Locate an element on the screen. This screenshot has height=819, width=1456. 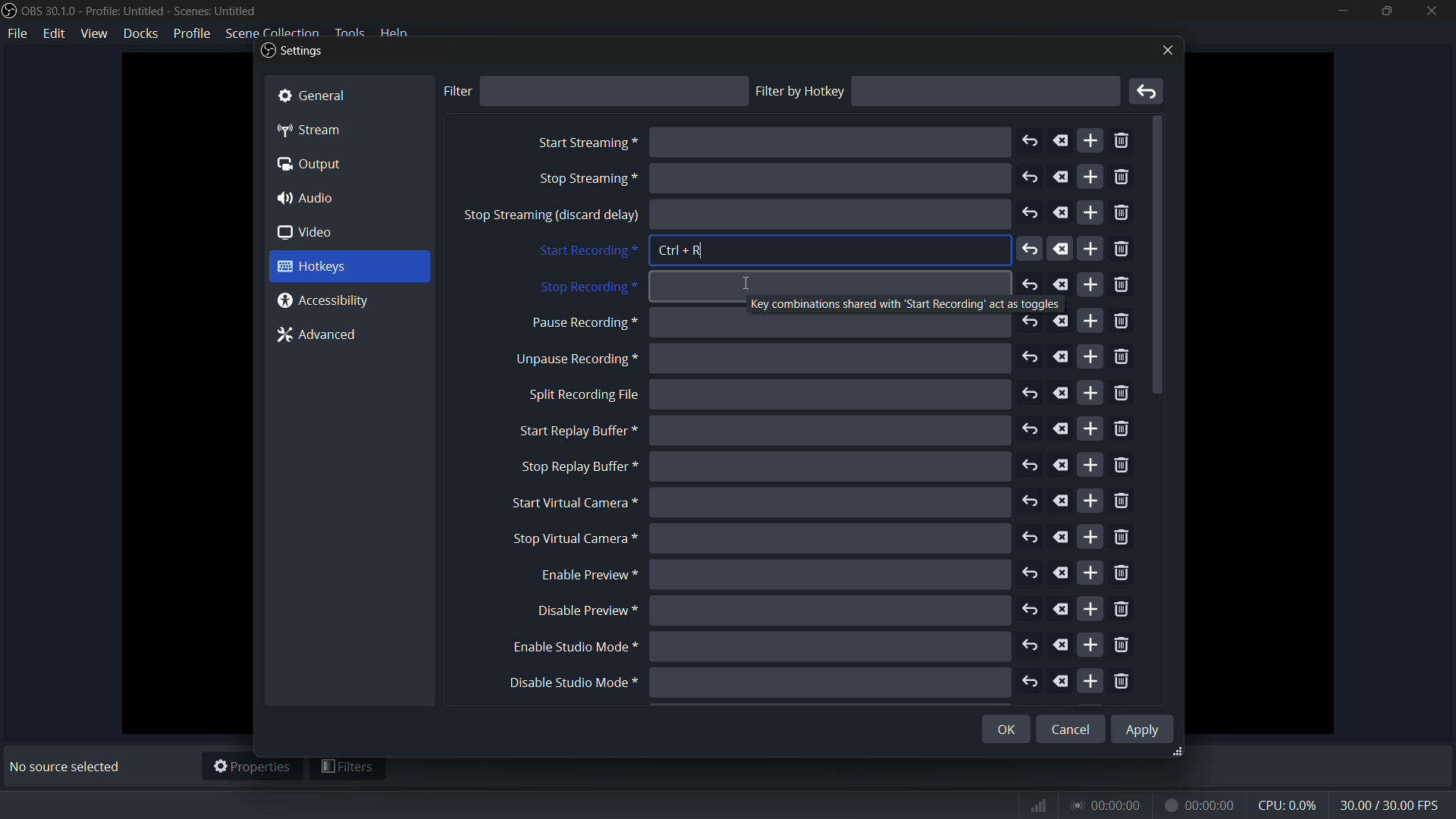
close is located at coordinates (1165, 50).